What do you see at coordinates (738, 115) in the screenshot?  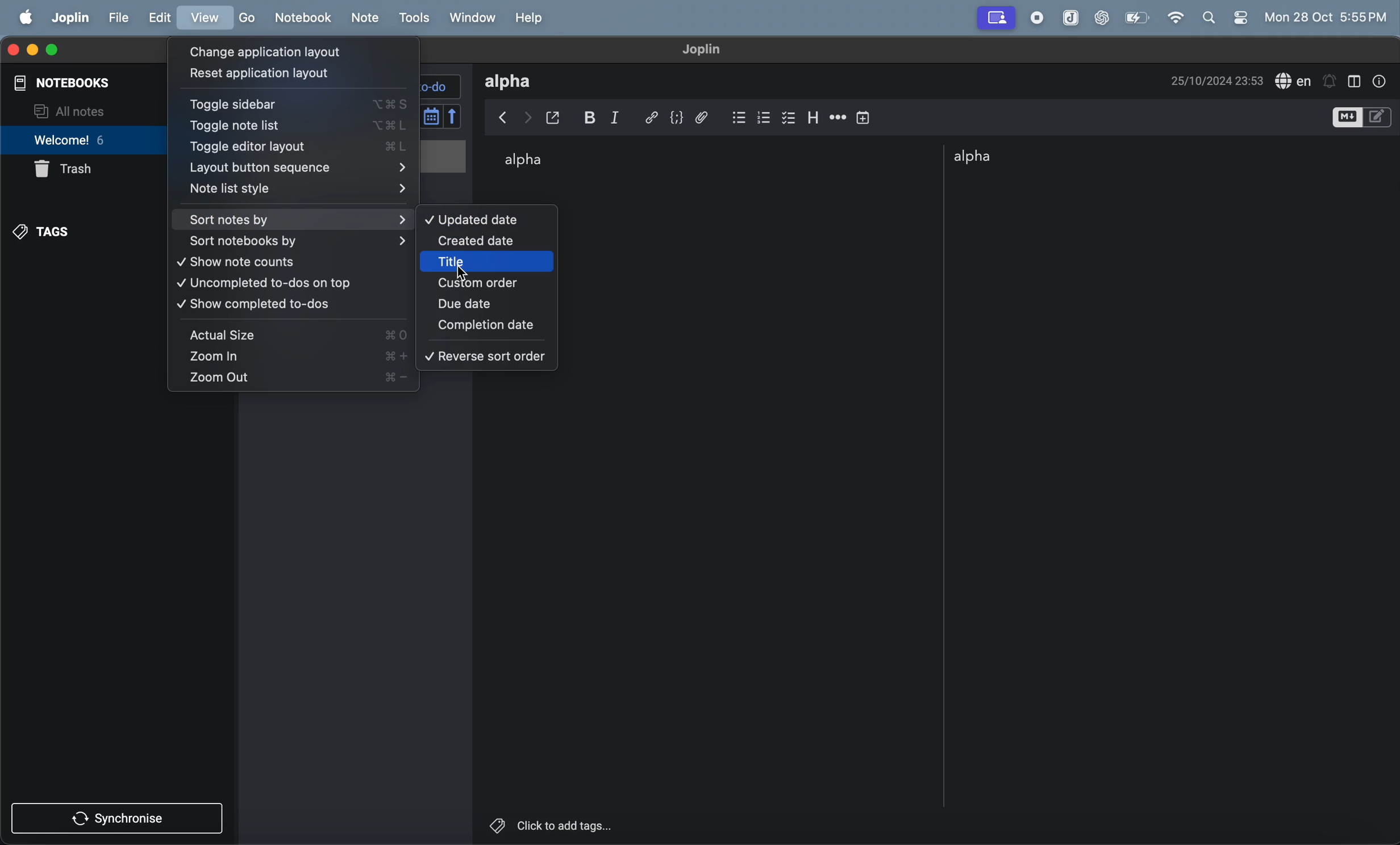 I see `bullet list` at bounding box center [738, 115].